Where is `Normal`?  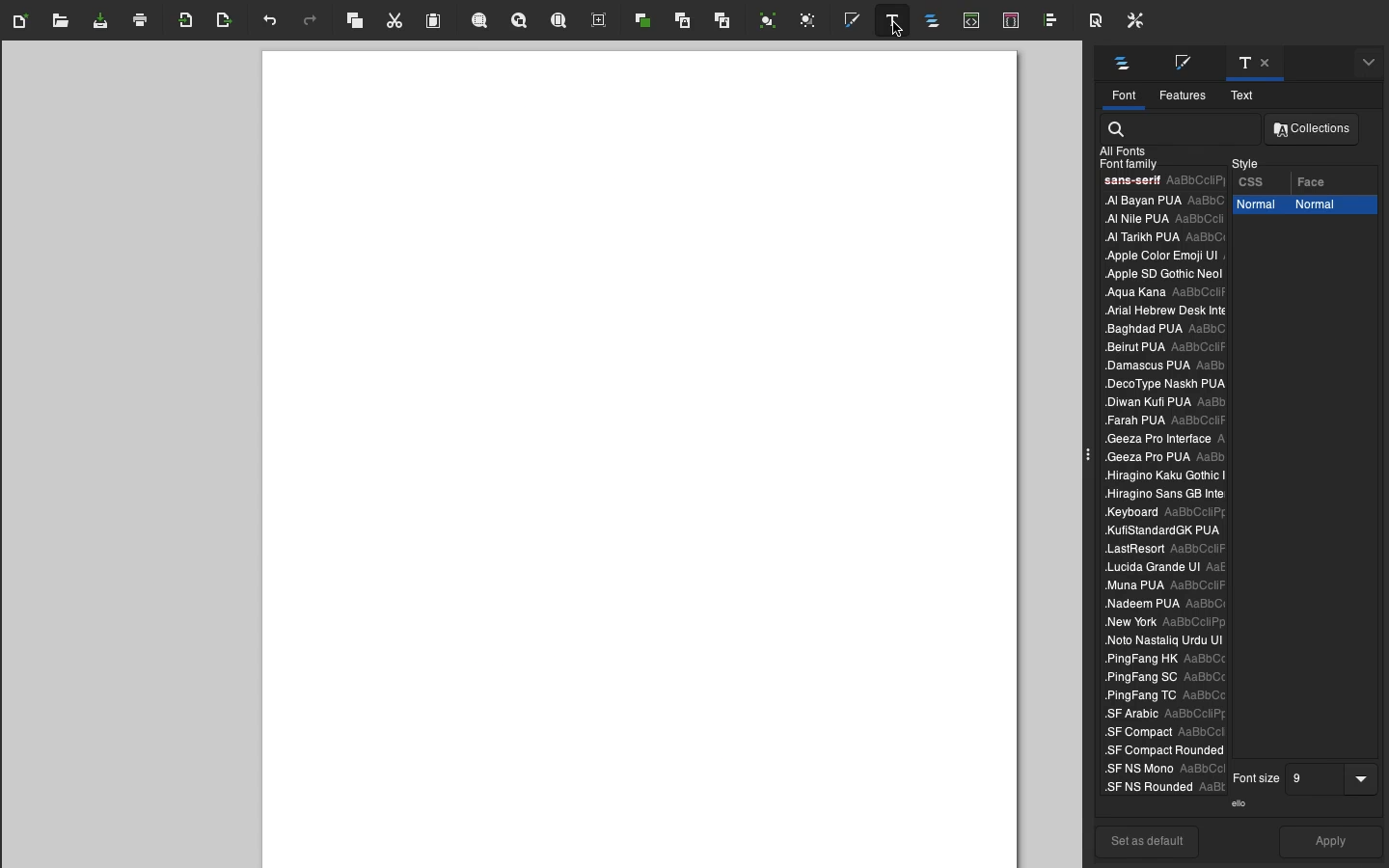 Normal is located at coordinates (1331, 206).